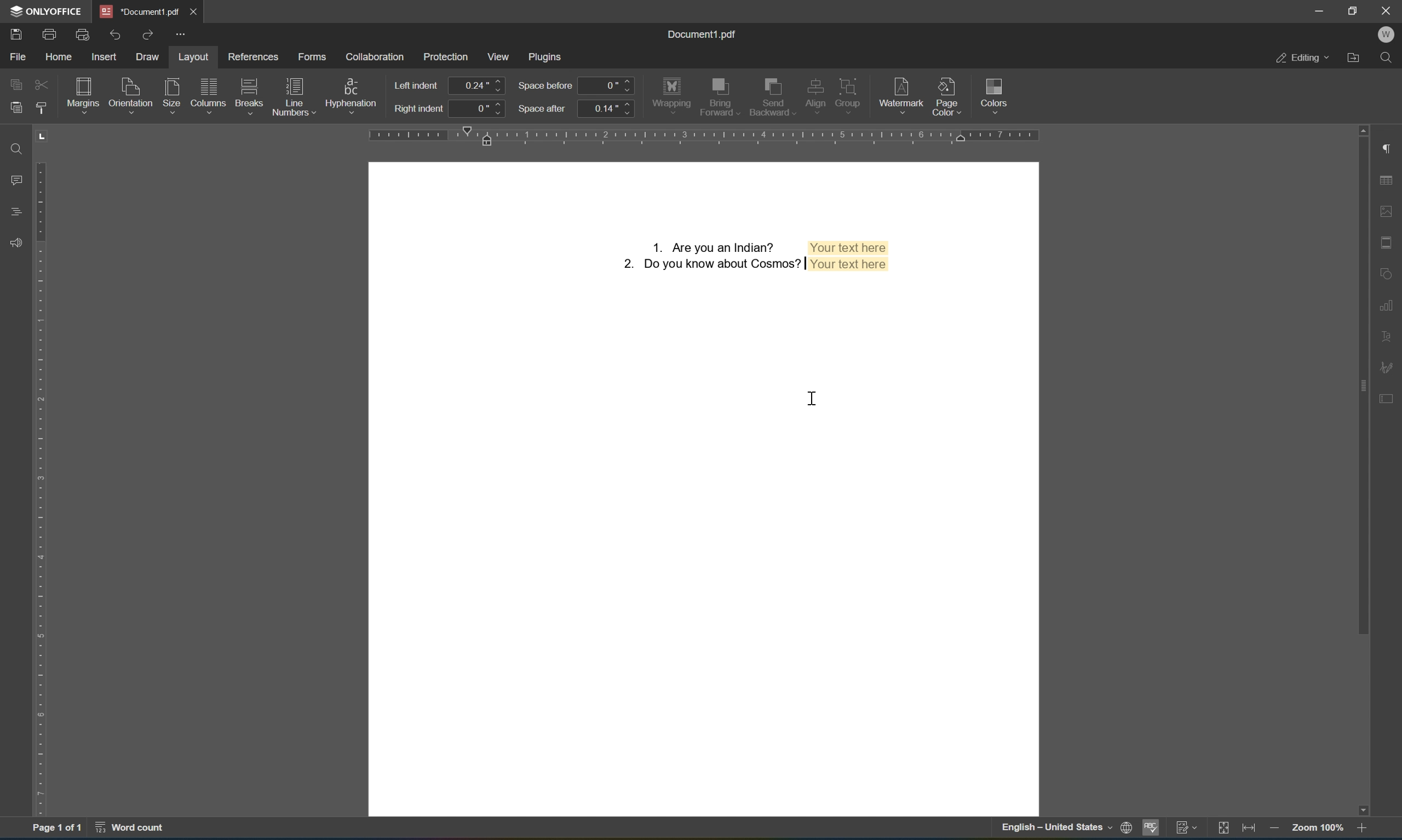 Image resolution: width=1402 pixels, height=840 pixels. What do you see at coordinates (1386, 11) in the screenshot?
I see `close` at bounding box center [1386, 11].